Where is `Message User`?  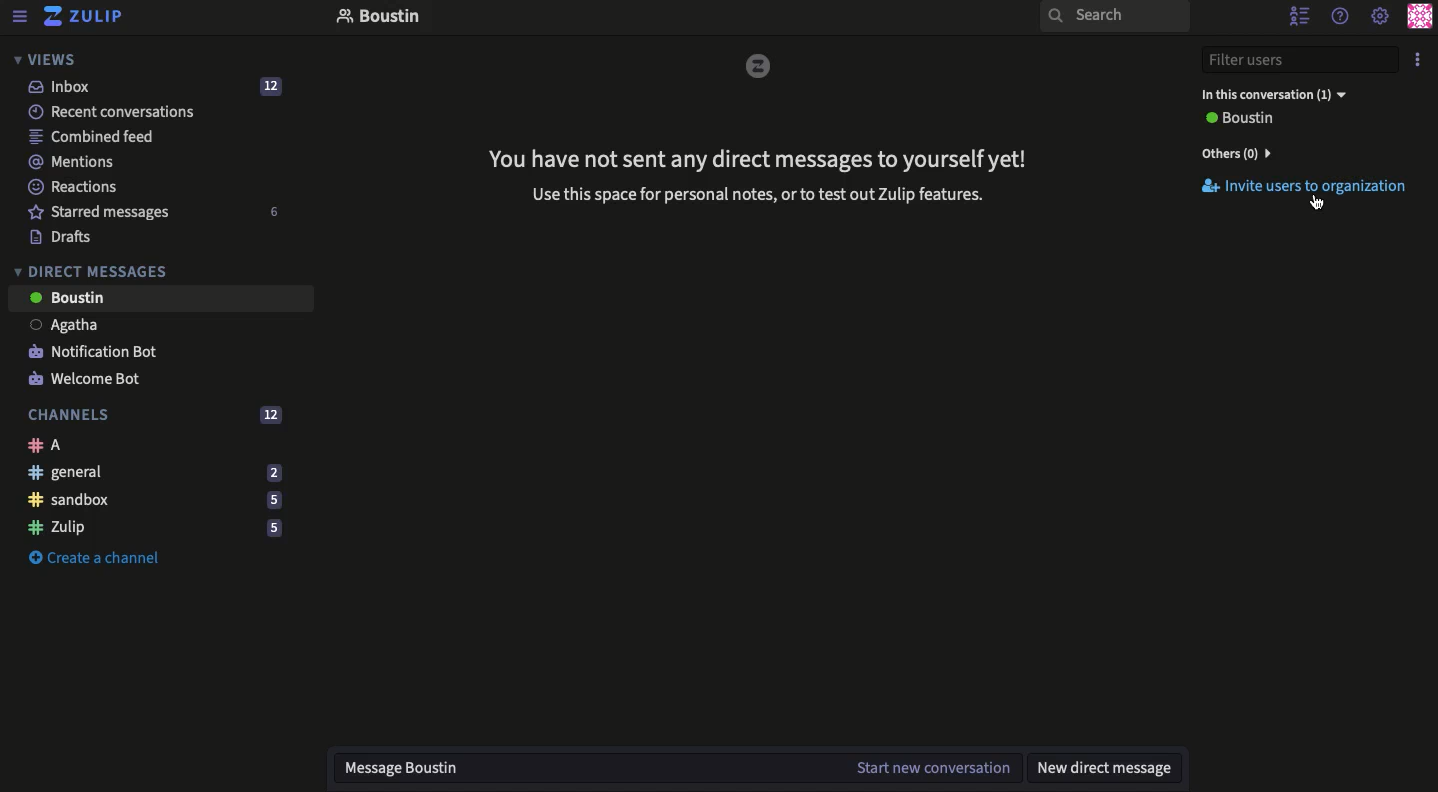 Message User is located at coordinates (665, 766).